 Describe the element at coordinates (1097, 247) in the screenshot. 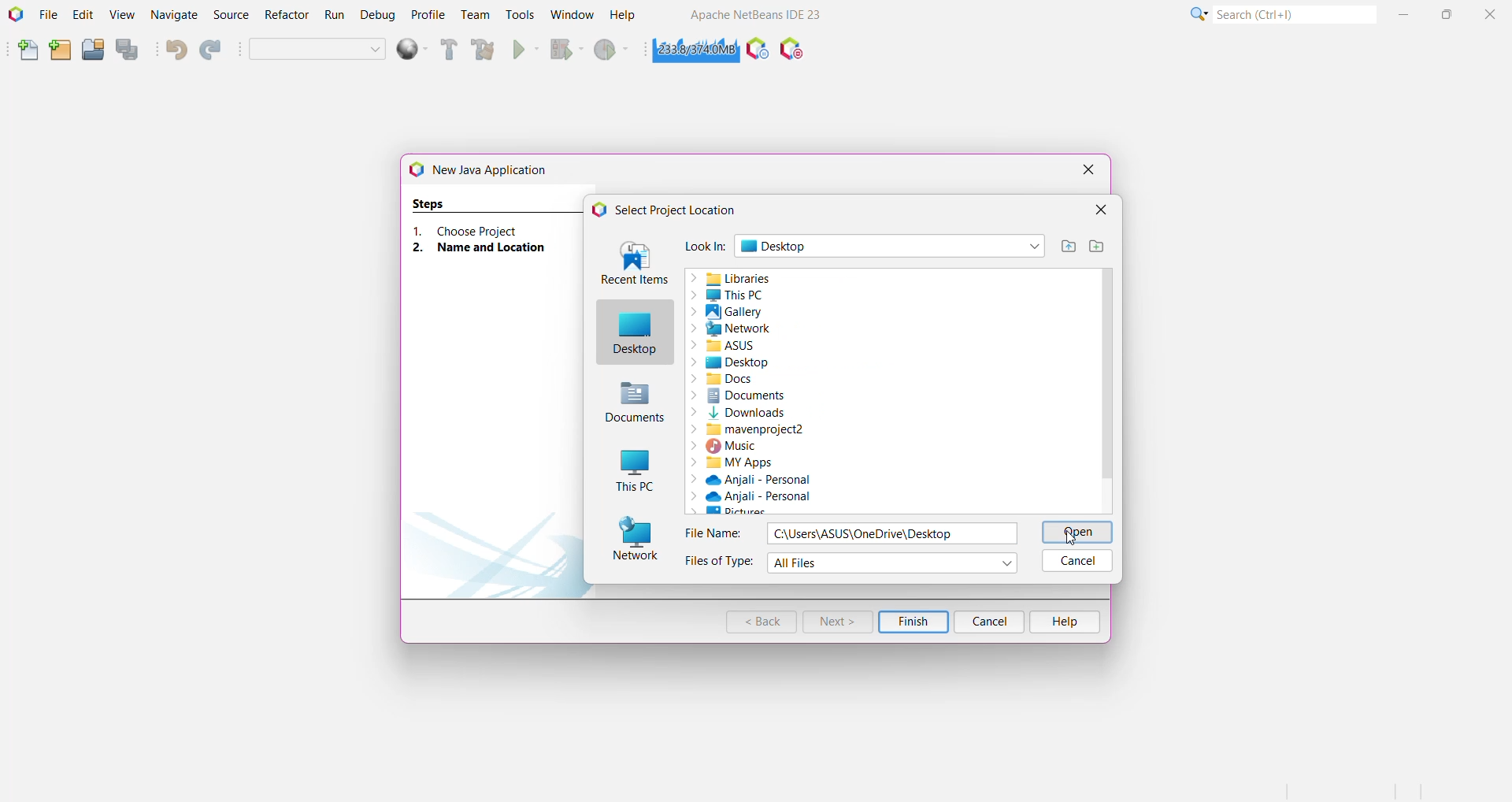

I see `Create New Folder` at that location.